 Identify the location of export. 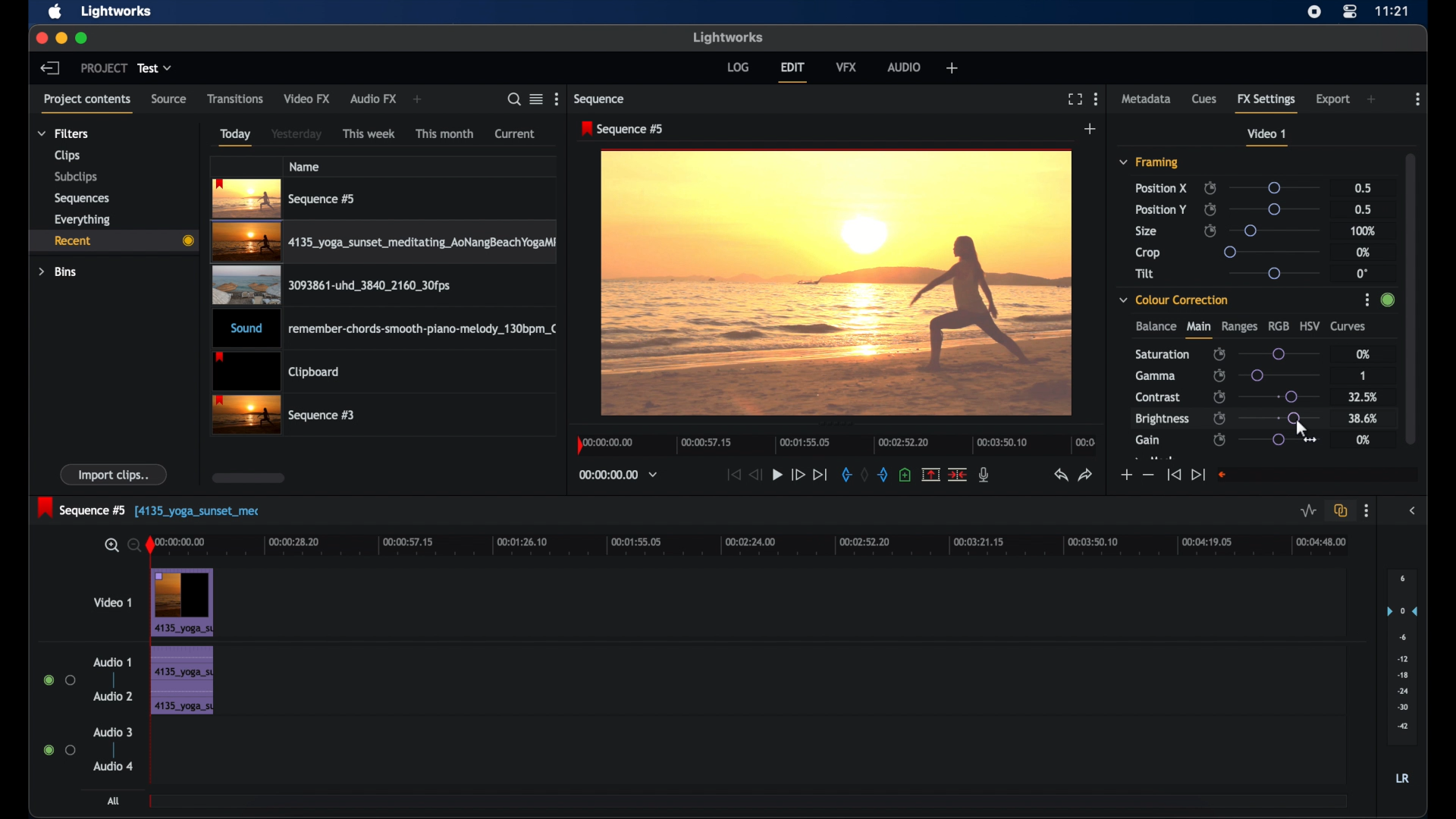
(1334, 99).